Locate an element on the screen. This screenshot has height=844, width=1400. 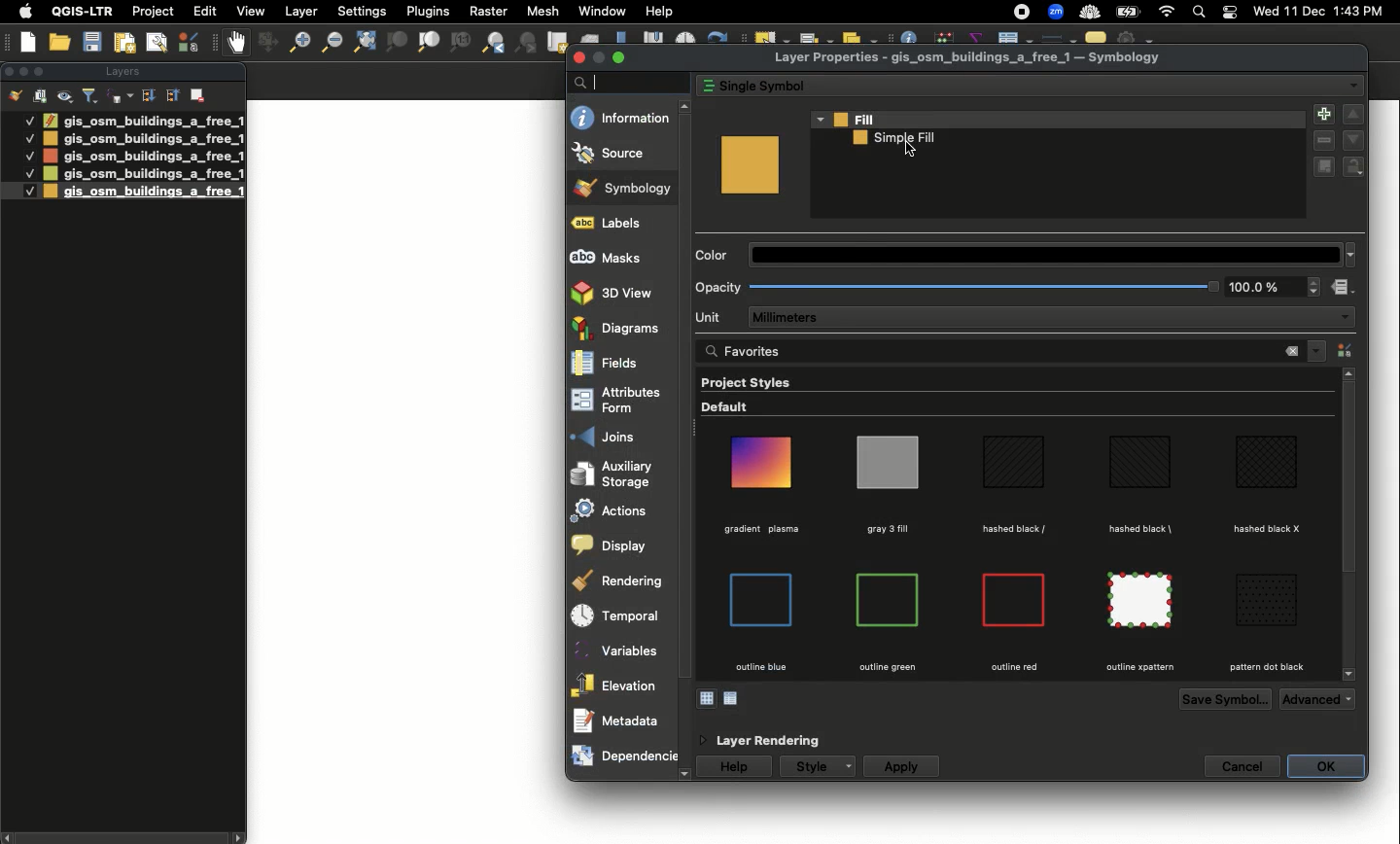
Drop down is located at coordinates (852, 766).